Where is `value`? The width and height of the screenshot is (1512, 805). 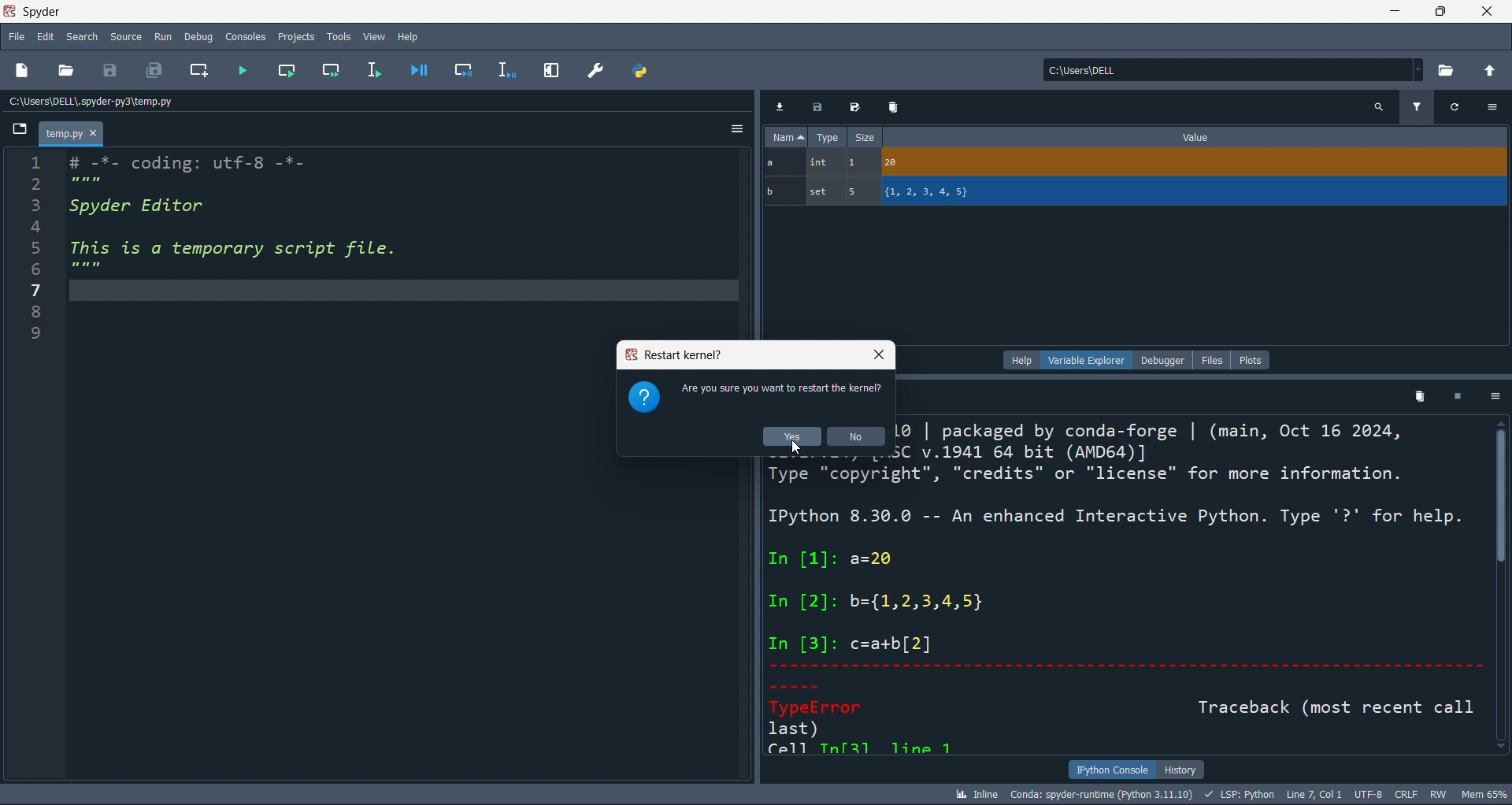
value is located at coordinates (1203, 136).